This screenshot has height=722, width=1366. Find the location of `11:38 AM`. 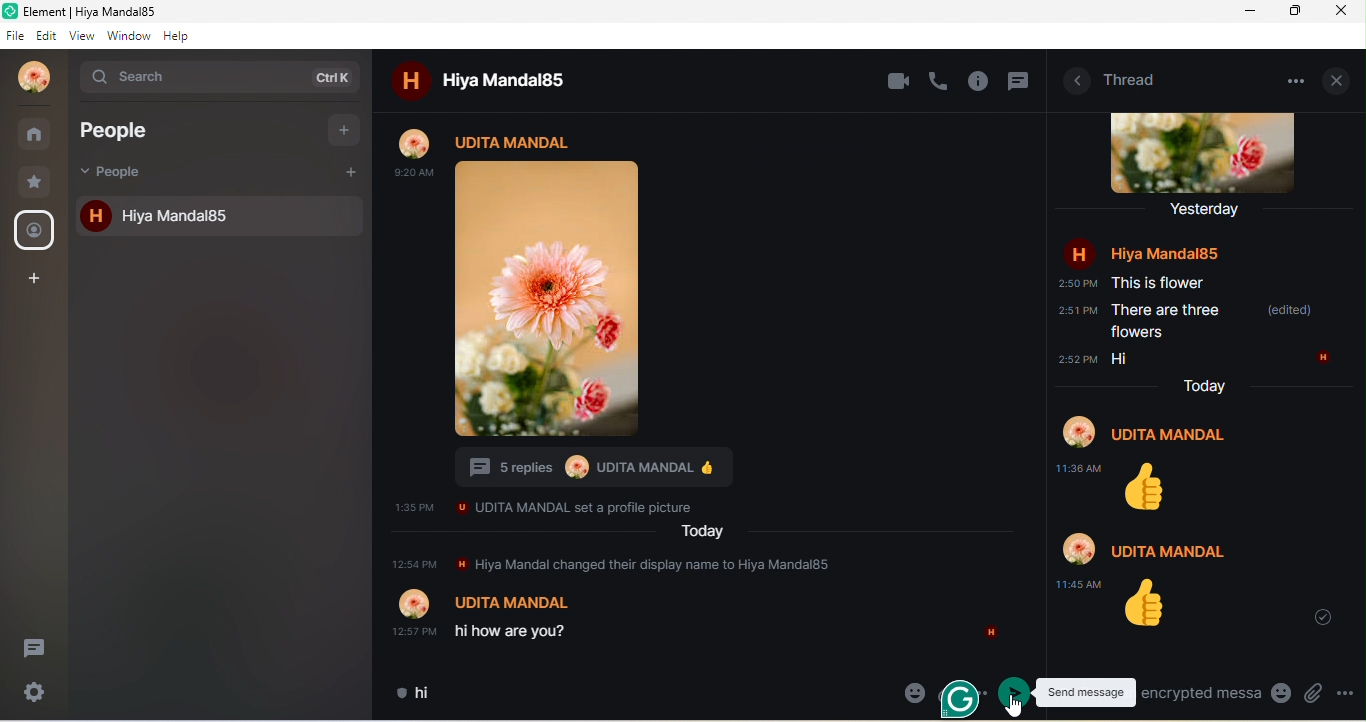

11:38 AM is located at coordinates (1079, 468).